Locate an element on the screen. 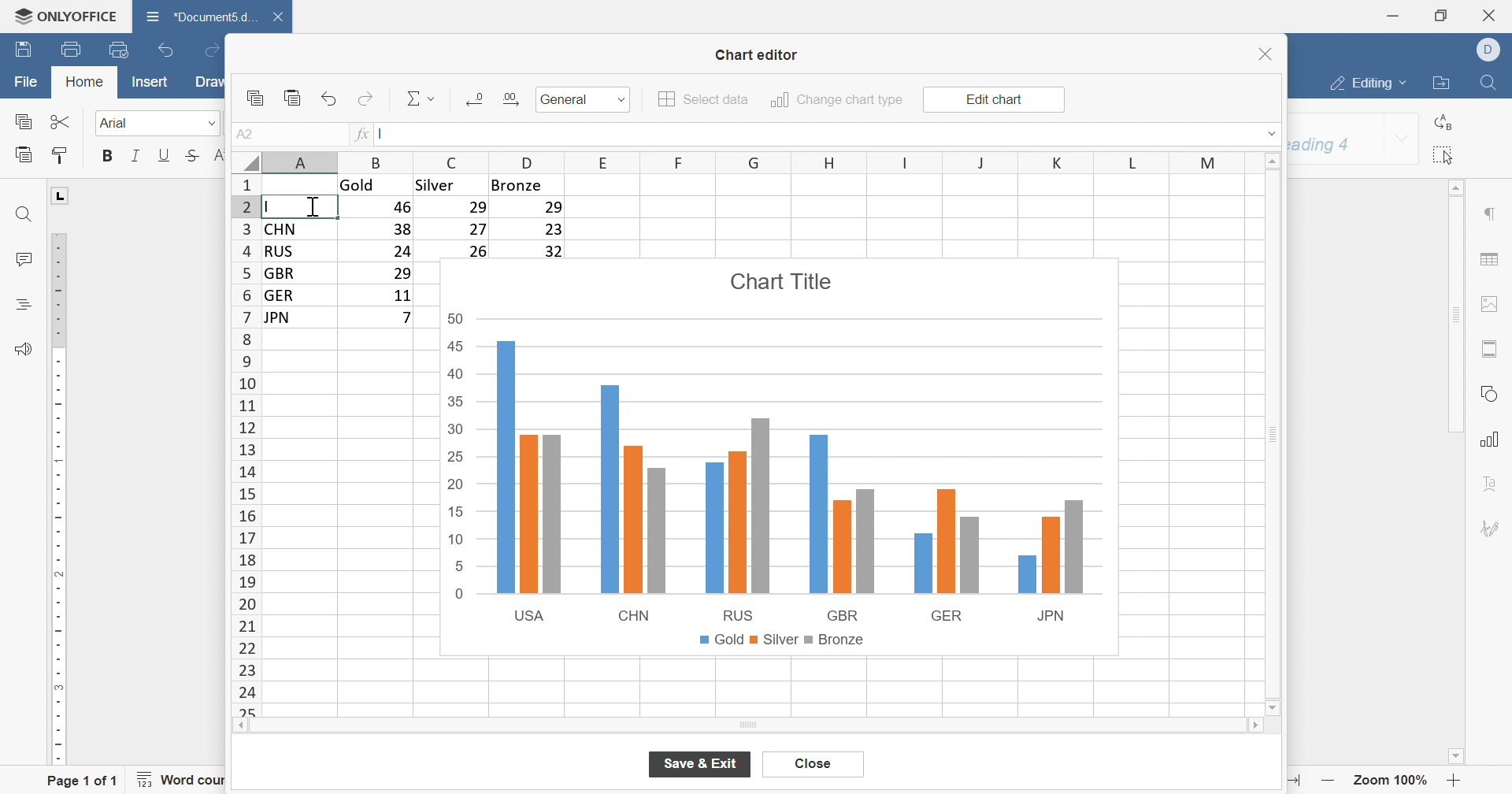  *document... is located at coordinates (198, 16).